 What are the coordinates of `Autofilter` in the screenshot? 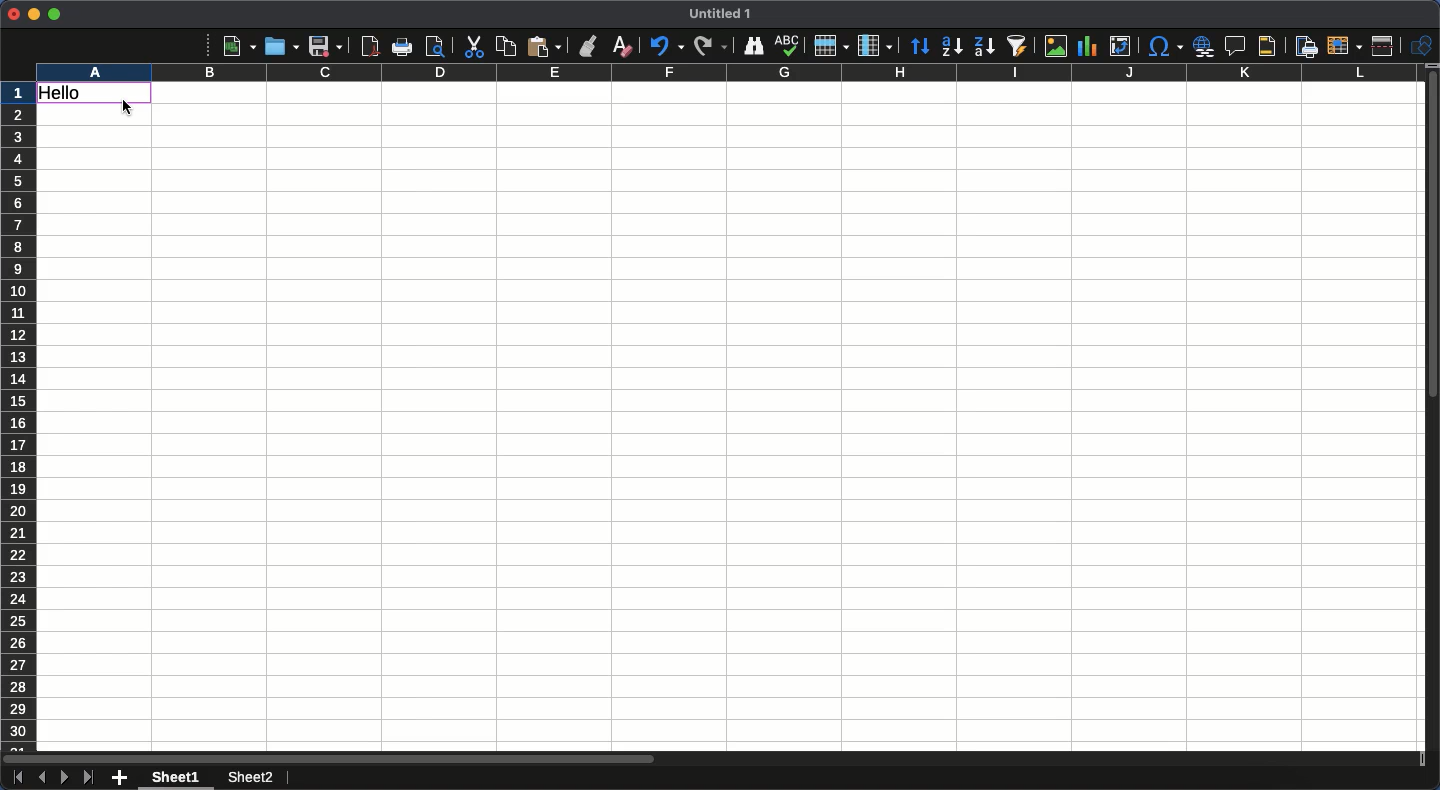 It's located at (1016, 46).